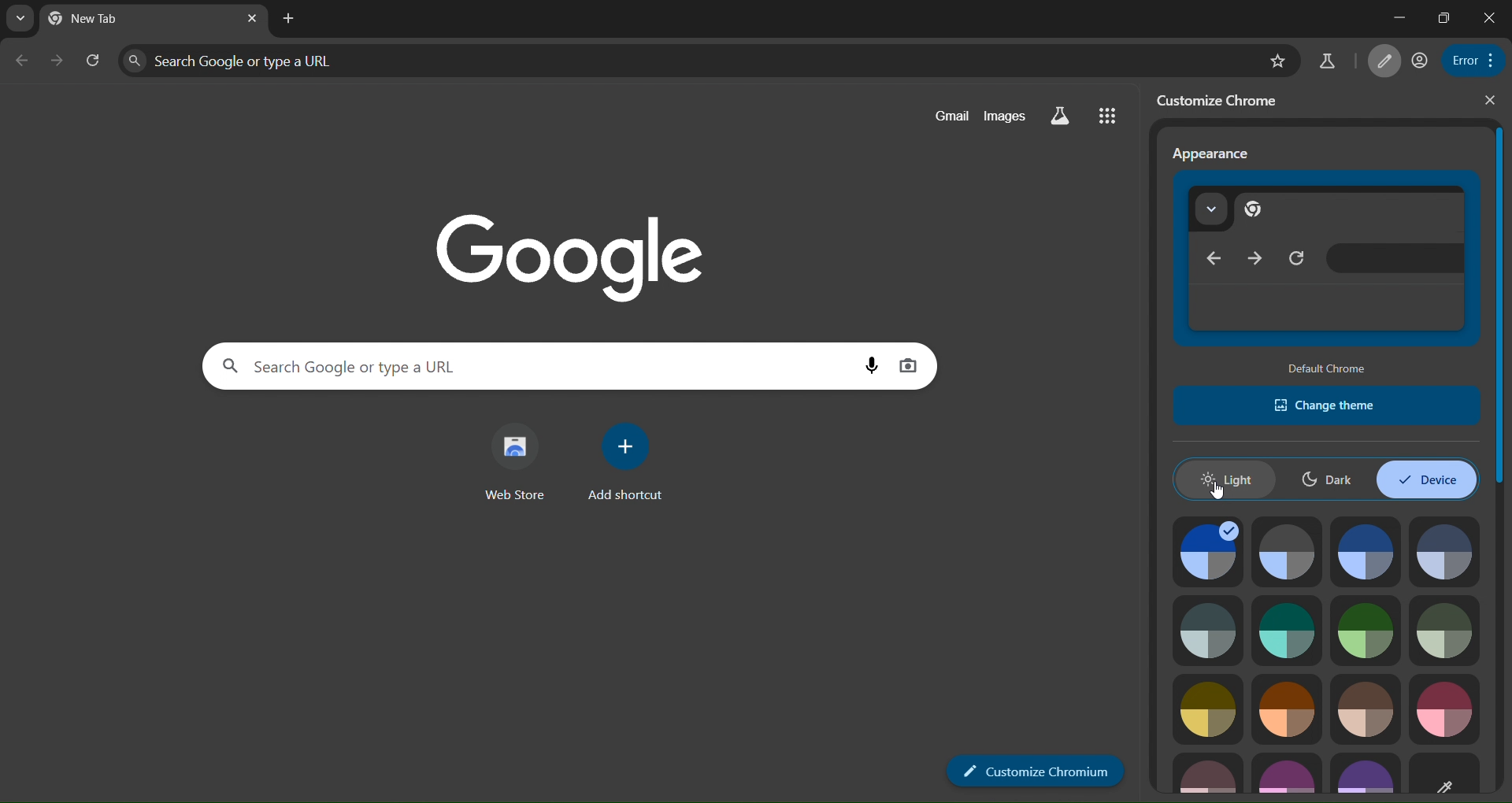  Describe the element at coordinates (685, 61) in the screenshot. I see `search google or type a URL` at that location.